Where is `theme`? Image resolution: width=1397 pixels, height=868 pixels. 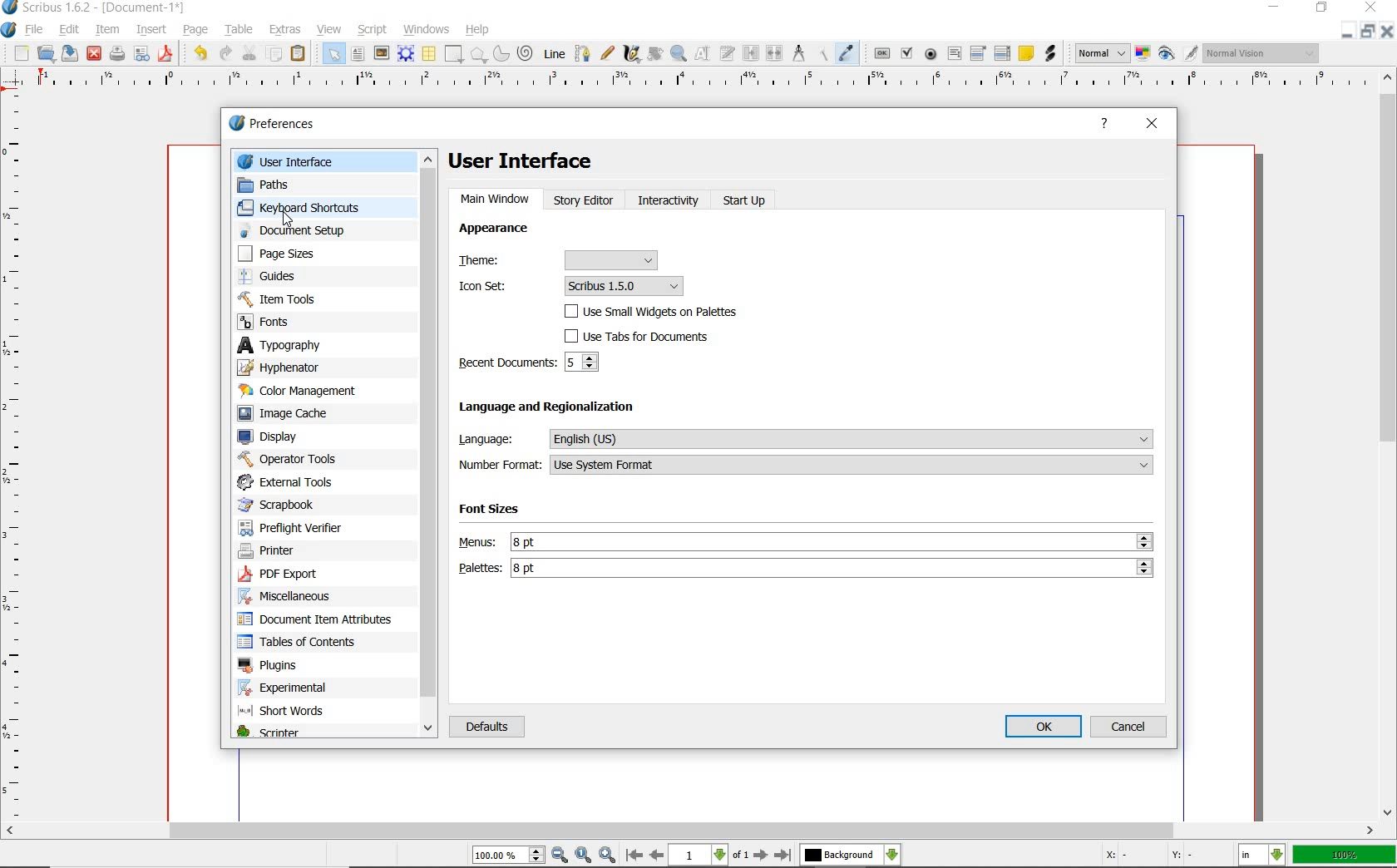 theme is located at coordinates (563, 260).